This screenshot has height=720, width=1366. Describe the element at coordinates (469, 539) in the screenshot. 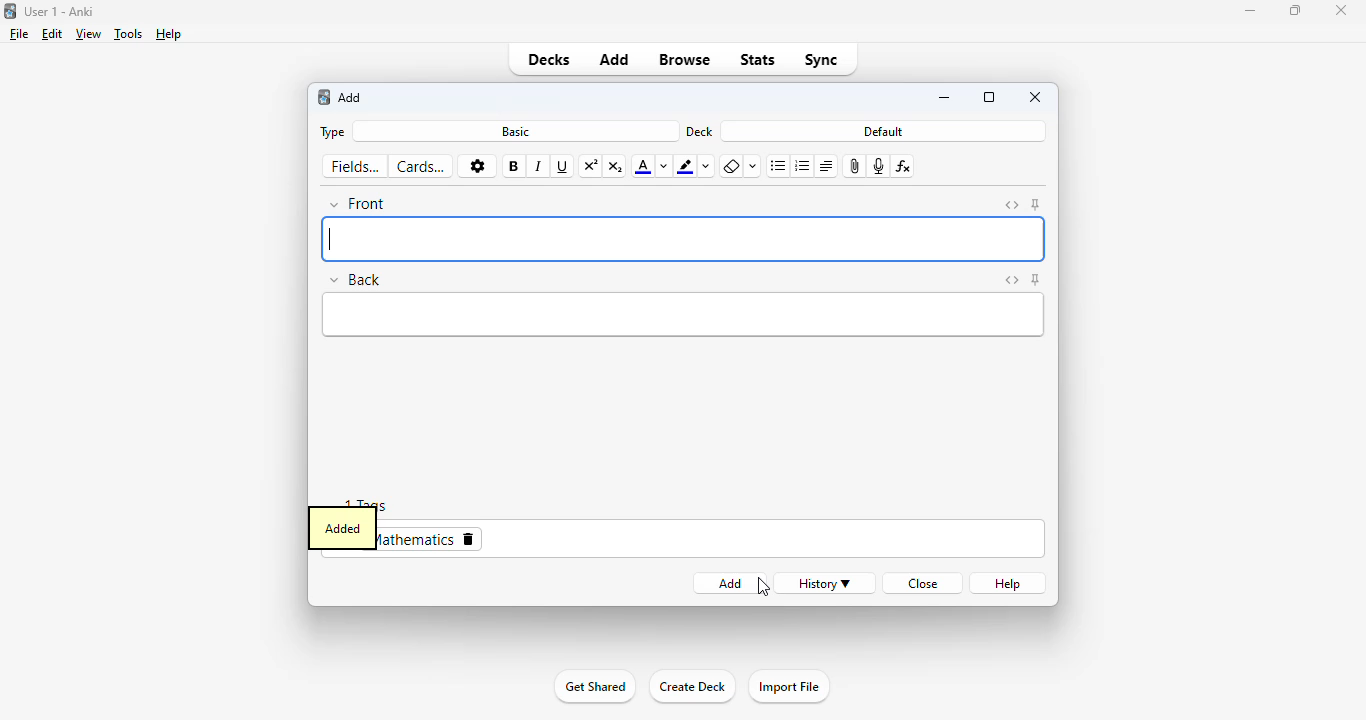

I see `delete` at that location.